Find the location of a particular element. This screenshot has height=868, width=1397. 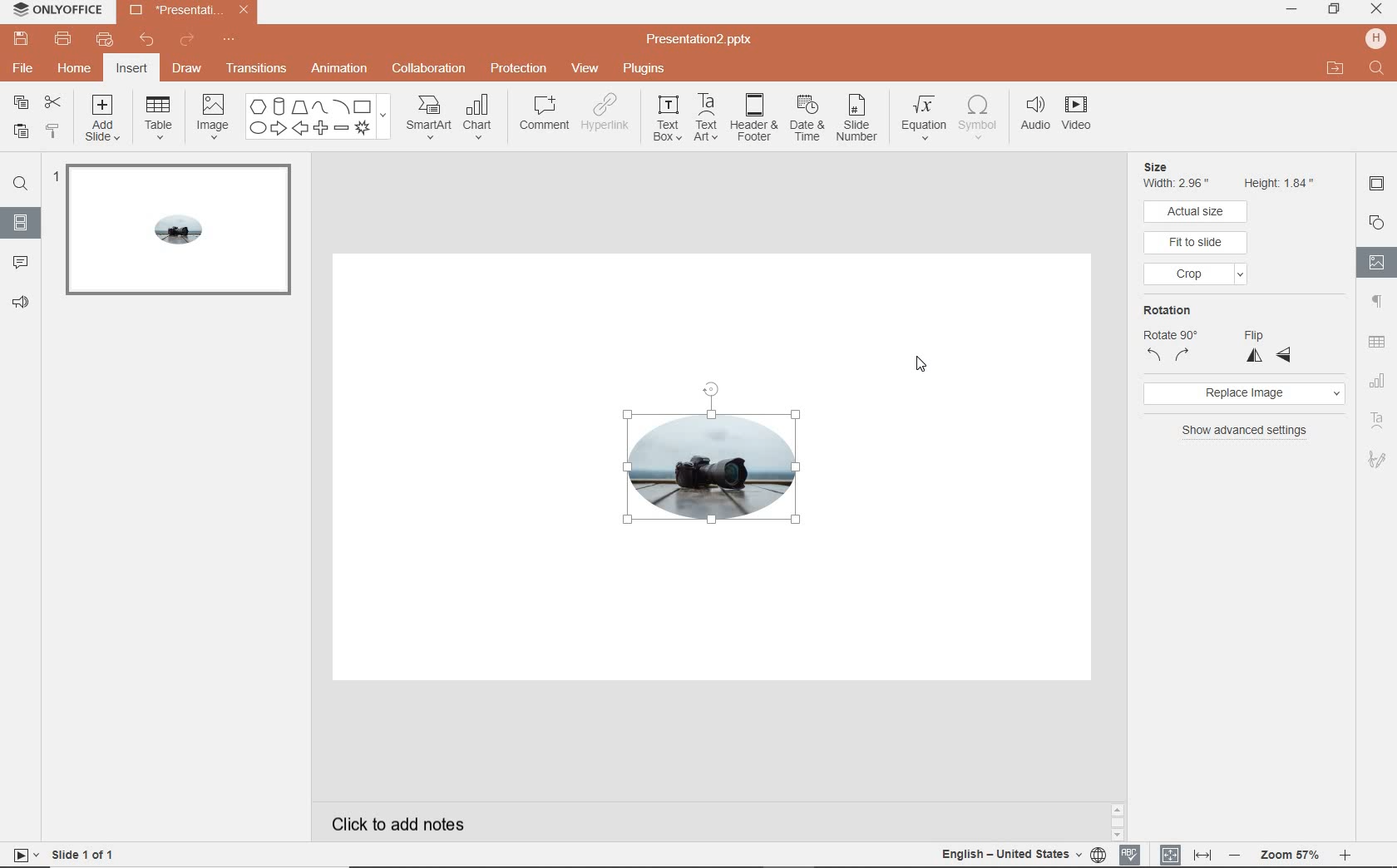

hyperlink is located at coordinates (610, 116).